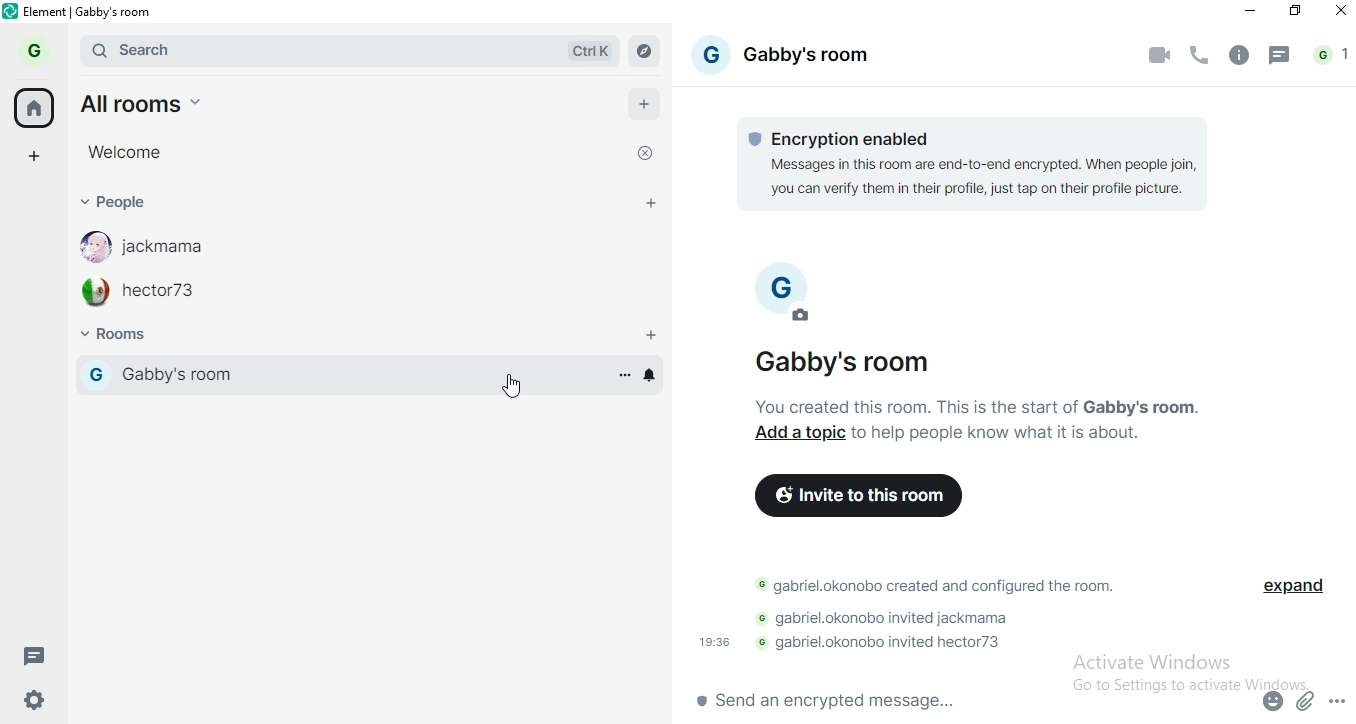  What do you see at coordinates (1337, 15) in the screenshot?
I see `close` at bounding box center [1337, 15].